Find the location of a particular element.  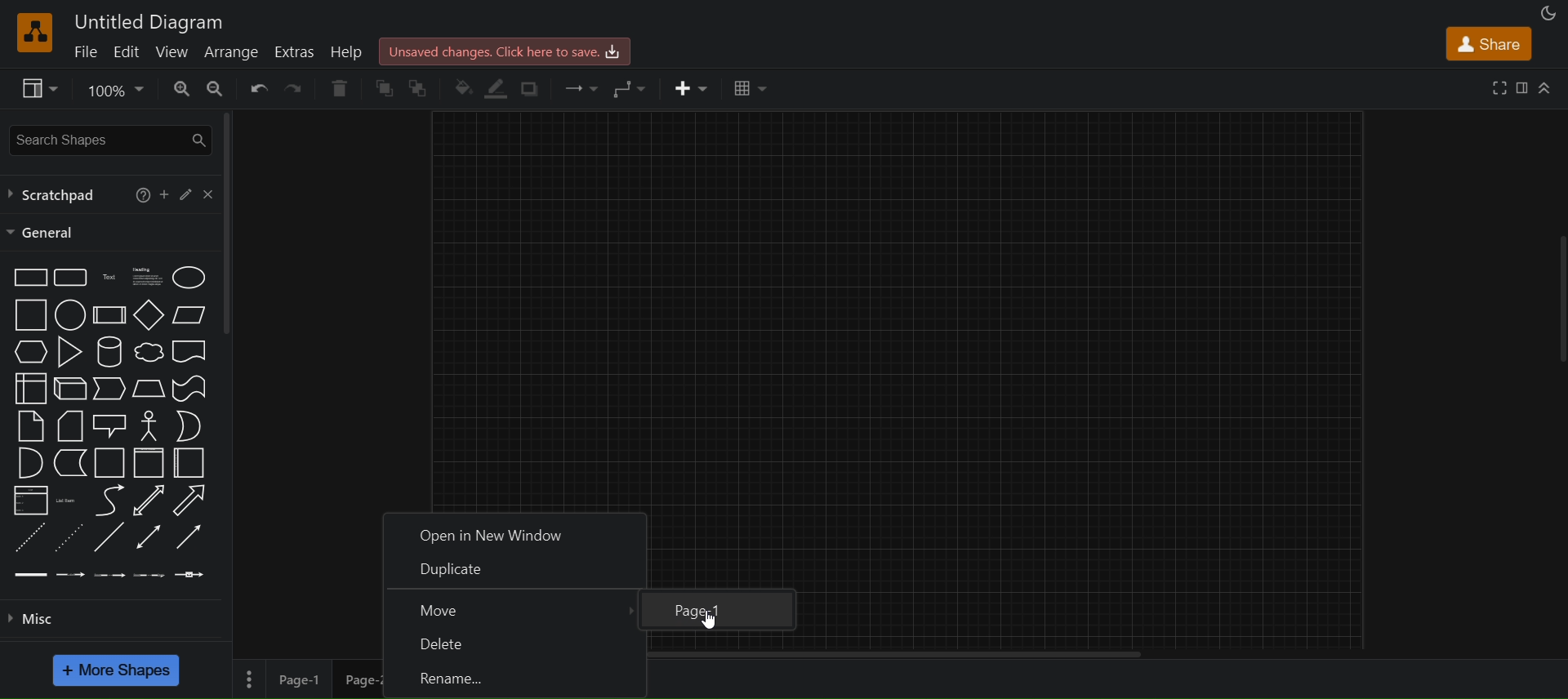

page 2 is located at coordinates (353, 679).